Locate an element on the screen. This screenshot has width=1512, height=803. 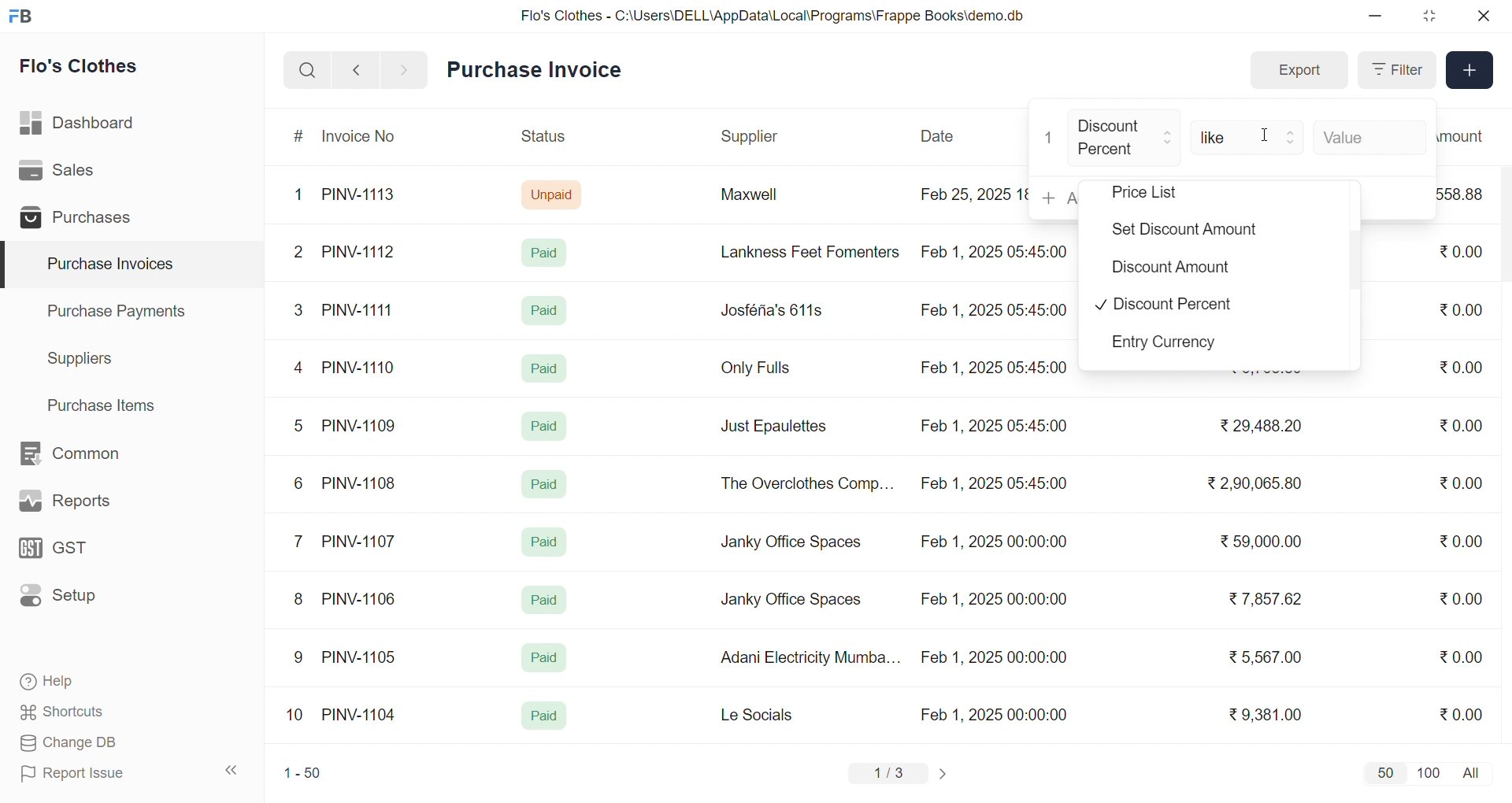
vertical scroll bar is located at coordinates (1356, 263).